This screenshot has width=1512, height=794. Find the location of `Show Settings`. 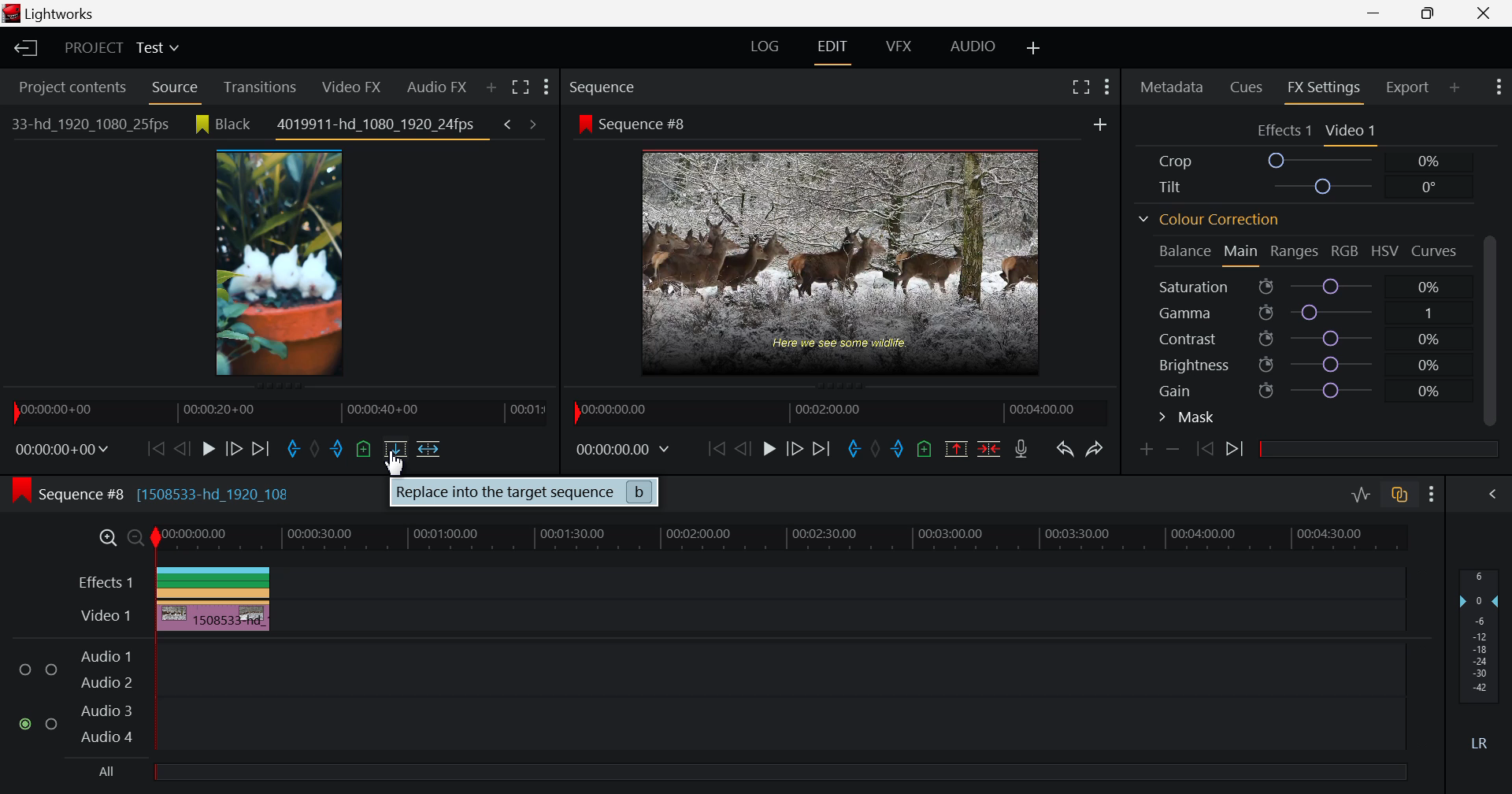

Show Settings is located at coordinates (1496, 87).